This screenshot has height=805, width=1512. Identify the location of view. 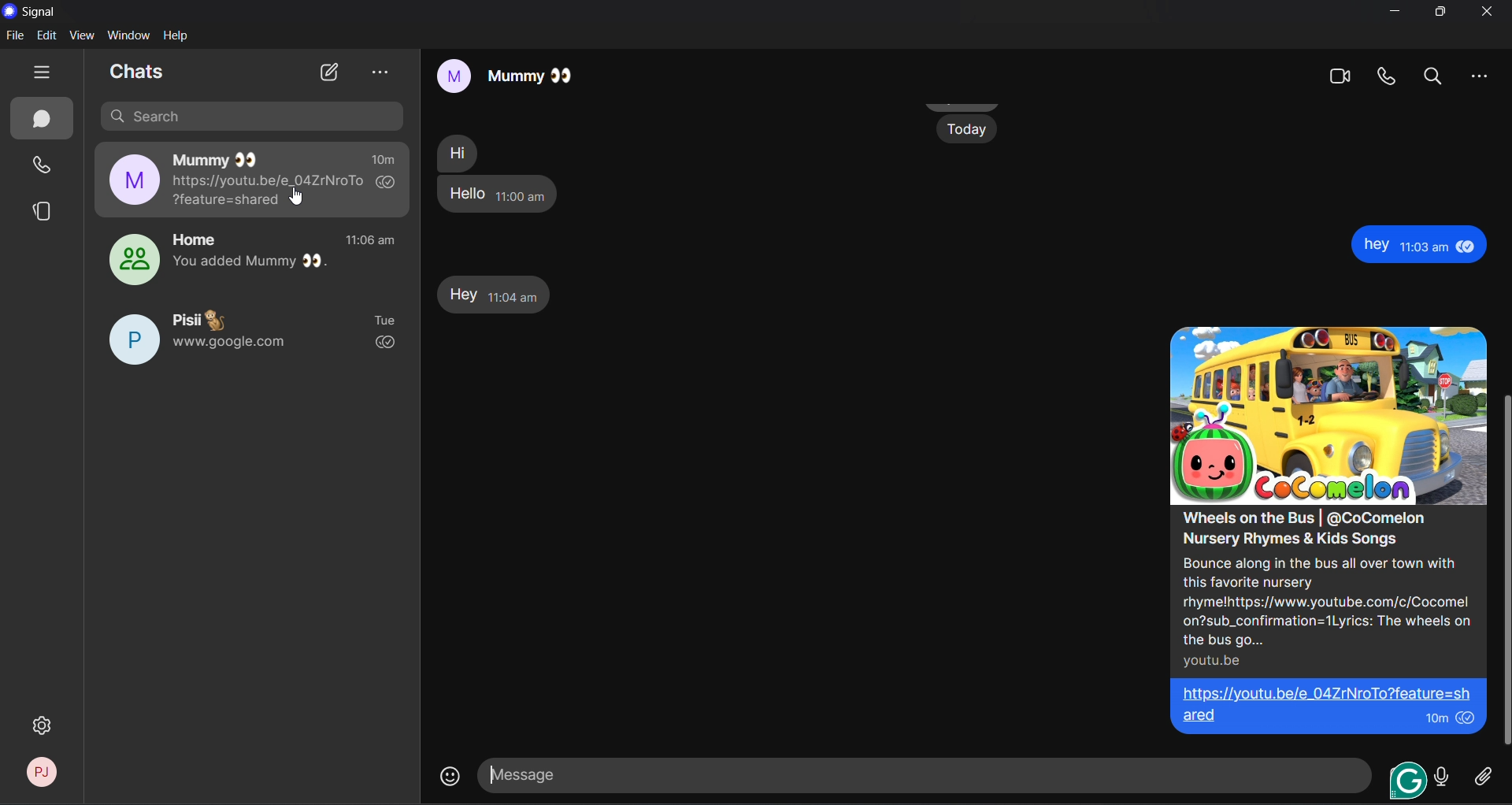
(82, 35).